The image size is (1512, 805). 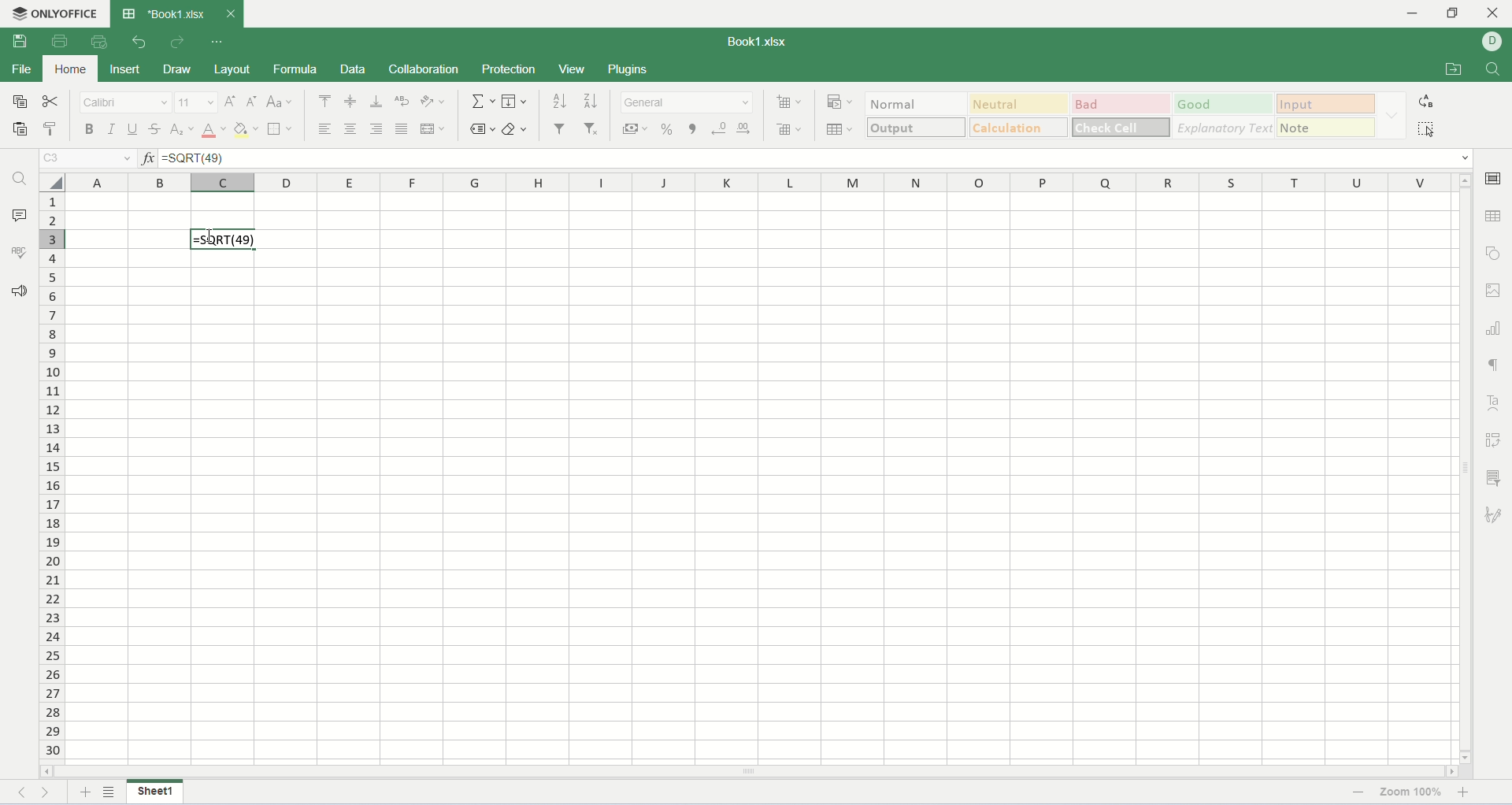 What do you see at coordinates (841, 102) in the screenshot?
I see `conditional formatting` at bounding box center [841, 102].